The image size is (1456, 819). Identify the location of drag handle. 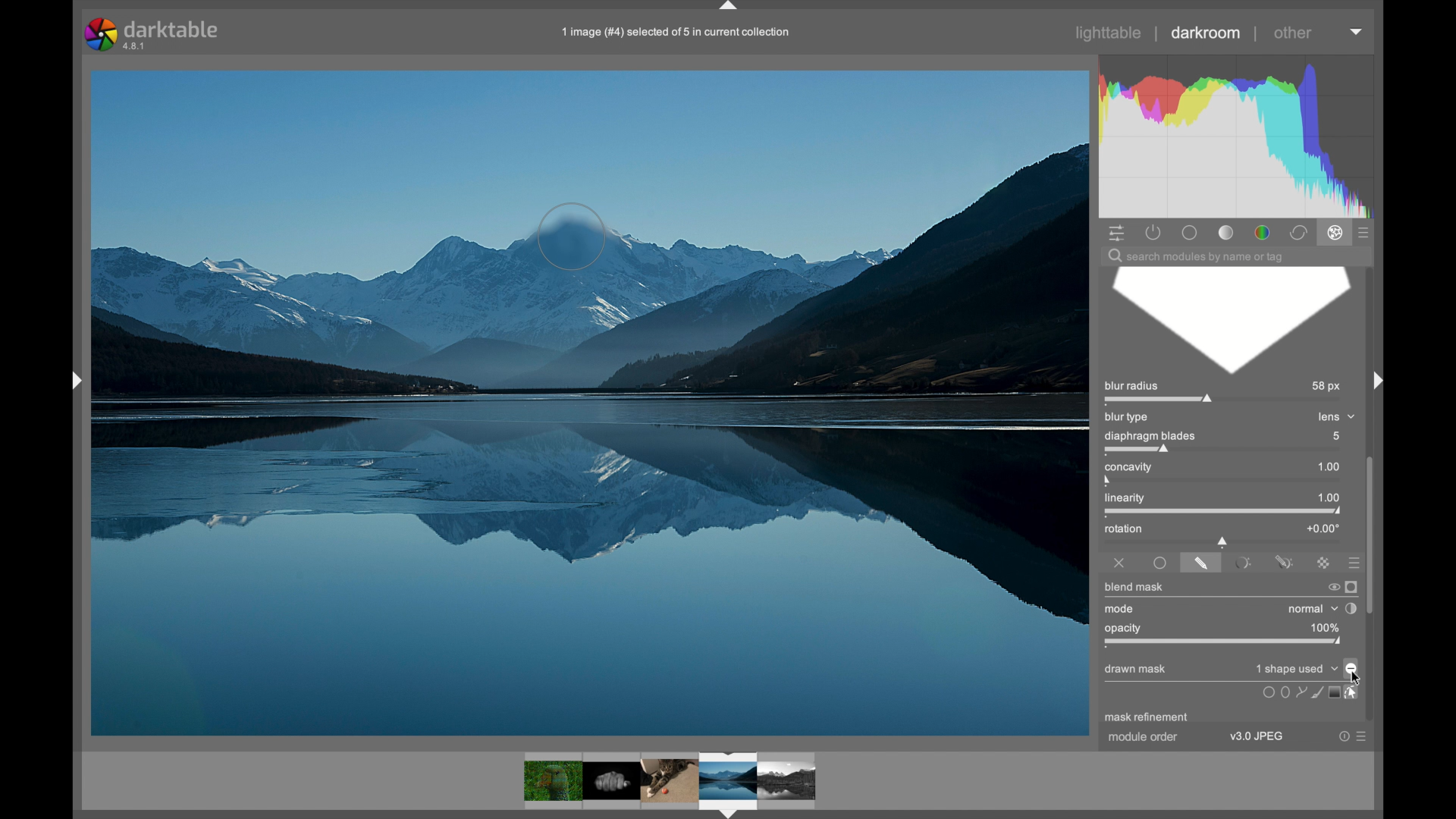
(730, 7).